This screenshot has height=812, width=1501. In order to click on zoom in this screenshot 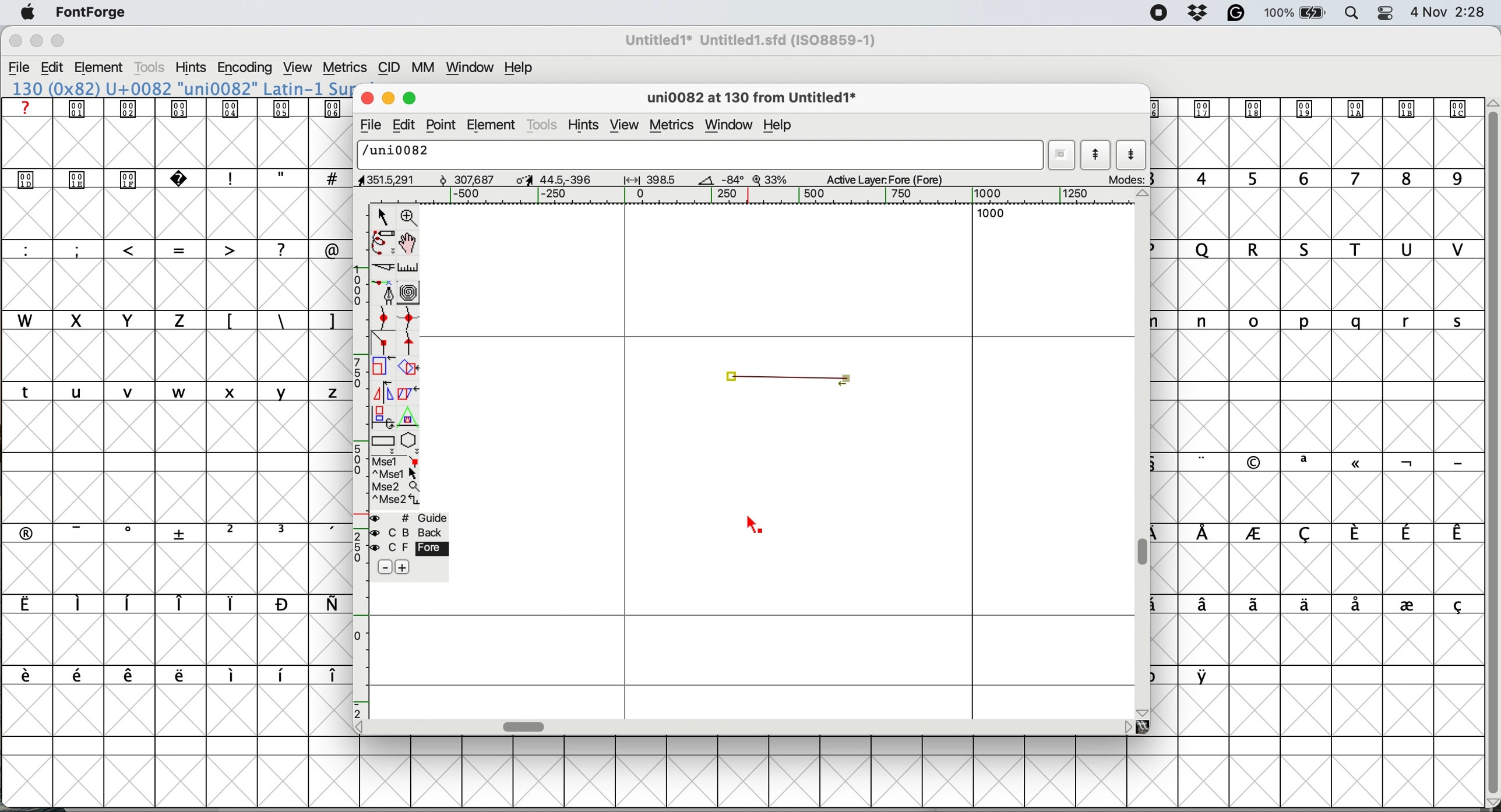, I will do `click(410, 216)`.